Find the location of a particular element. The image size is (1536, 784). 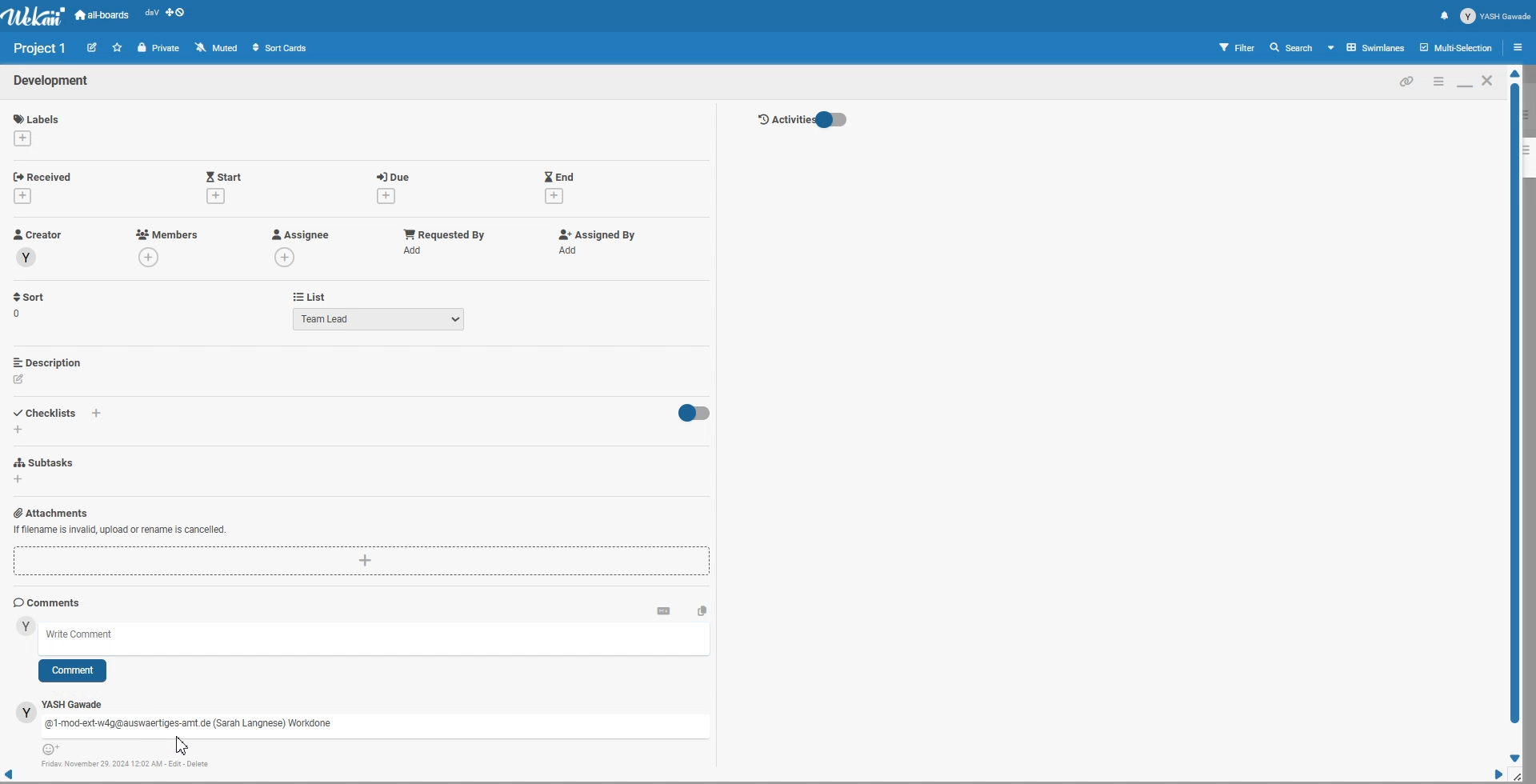

user is located at coordinates (75, 705).